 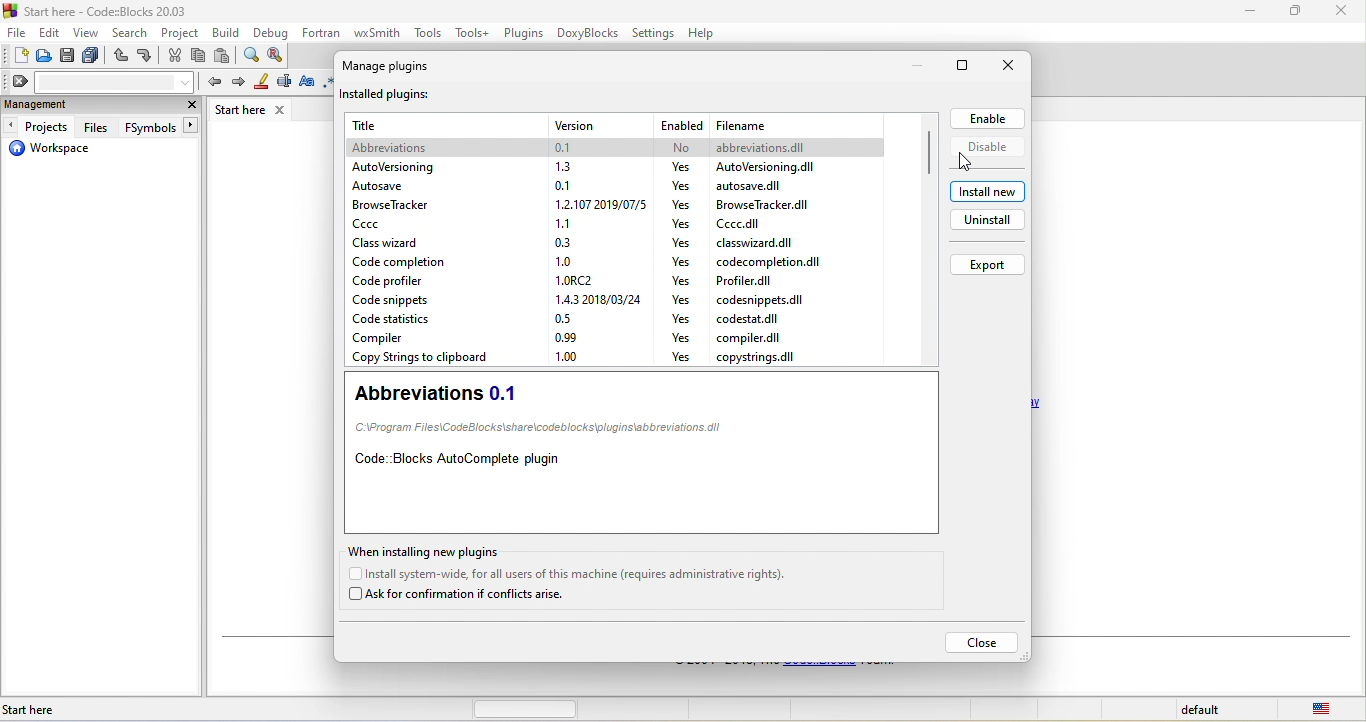 What do you see at coordinates (278, 54) in the screenshot?
I see `replace` at bounding box center [278, 54].